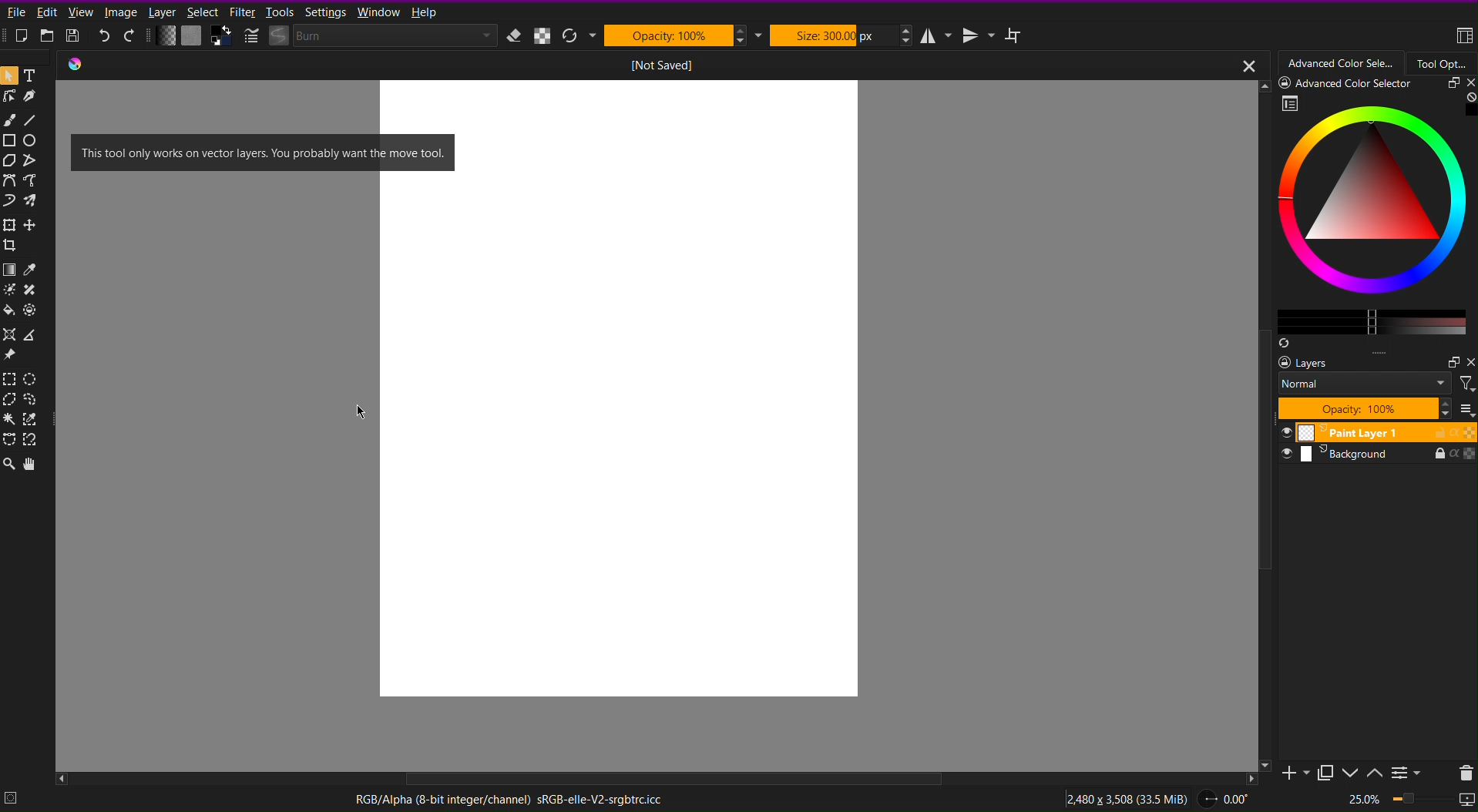 Image resolution: width=1478 pixels, height=812 pixels. What do you see at coordinates (938, 35) in the screenshot?
I see `Horizontal Mirror` at bounding box center [938, 35].